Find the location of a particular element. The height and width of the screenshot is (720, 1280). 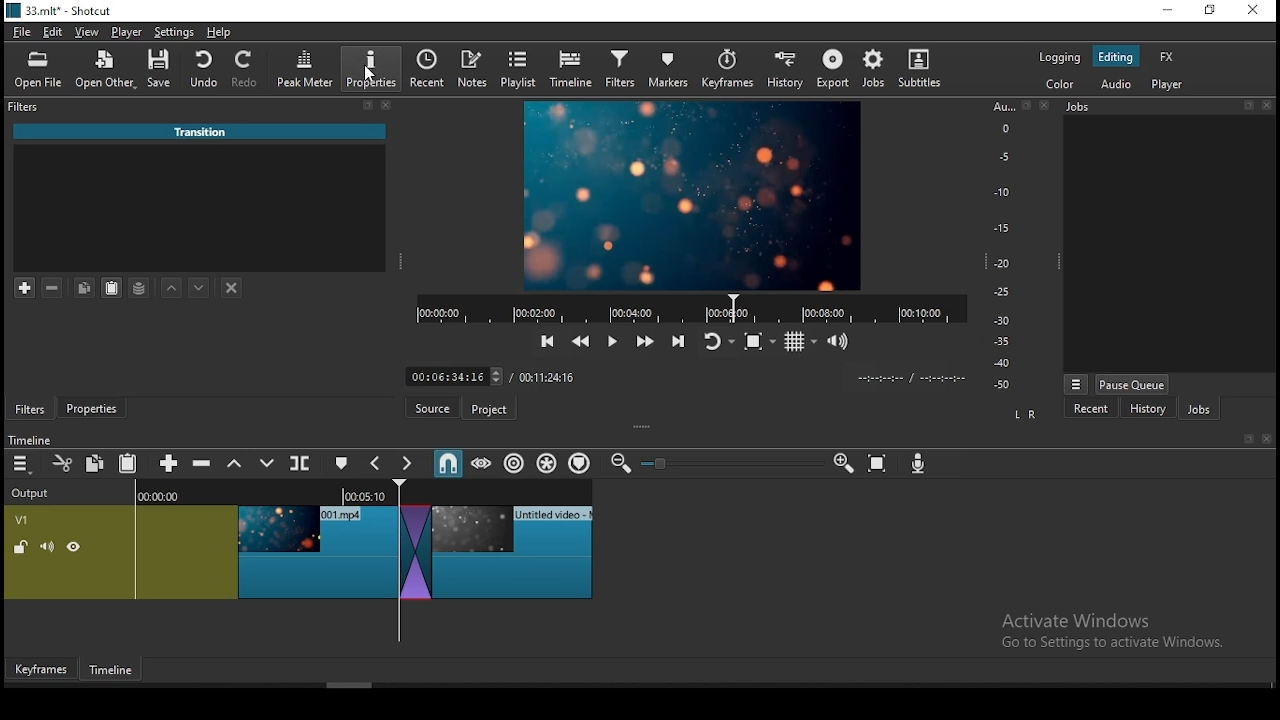

help is located at coordinates (216, 32).